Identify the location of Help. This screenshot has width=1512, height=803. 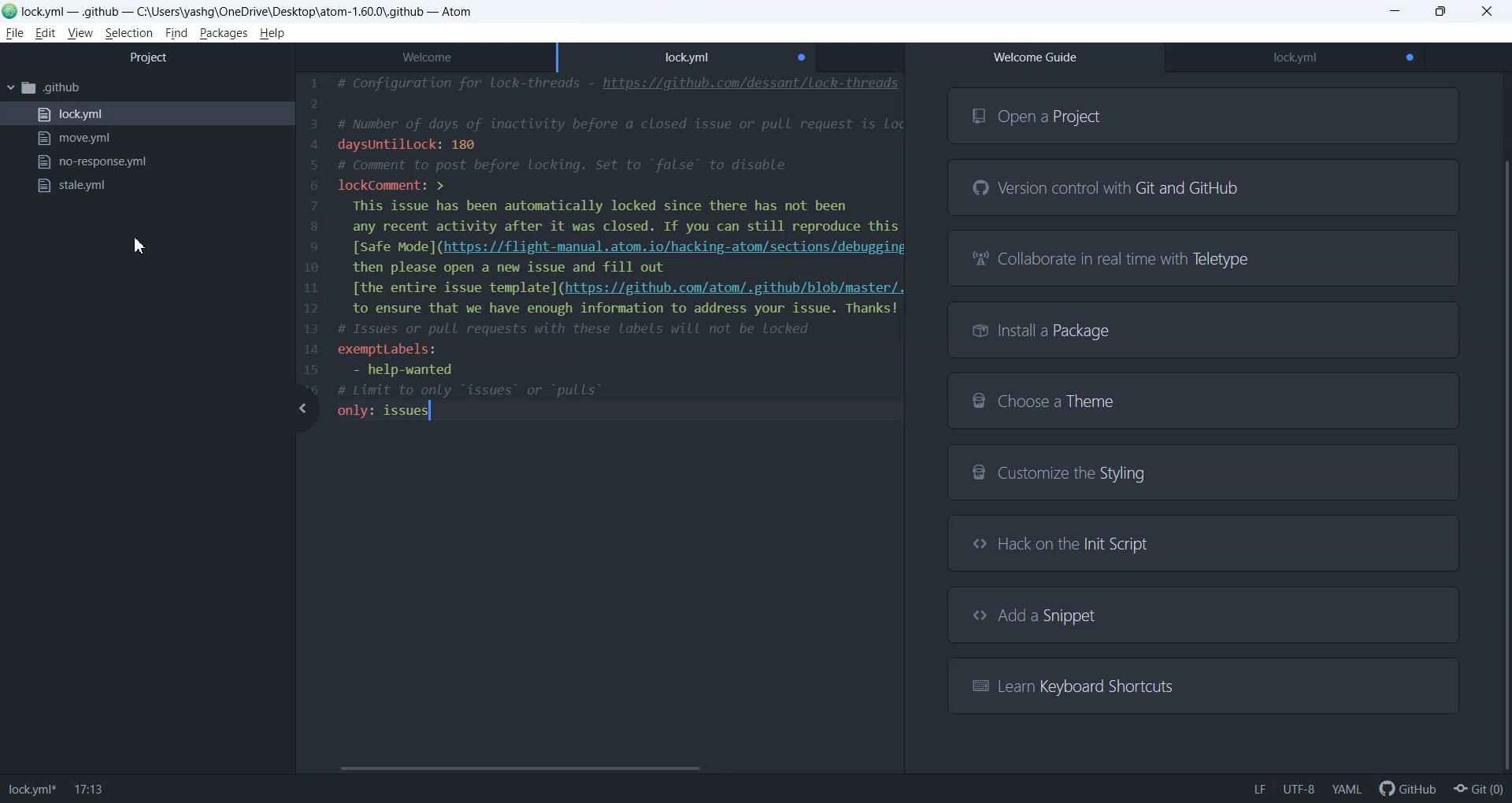
(272, 34).